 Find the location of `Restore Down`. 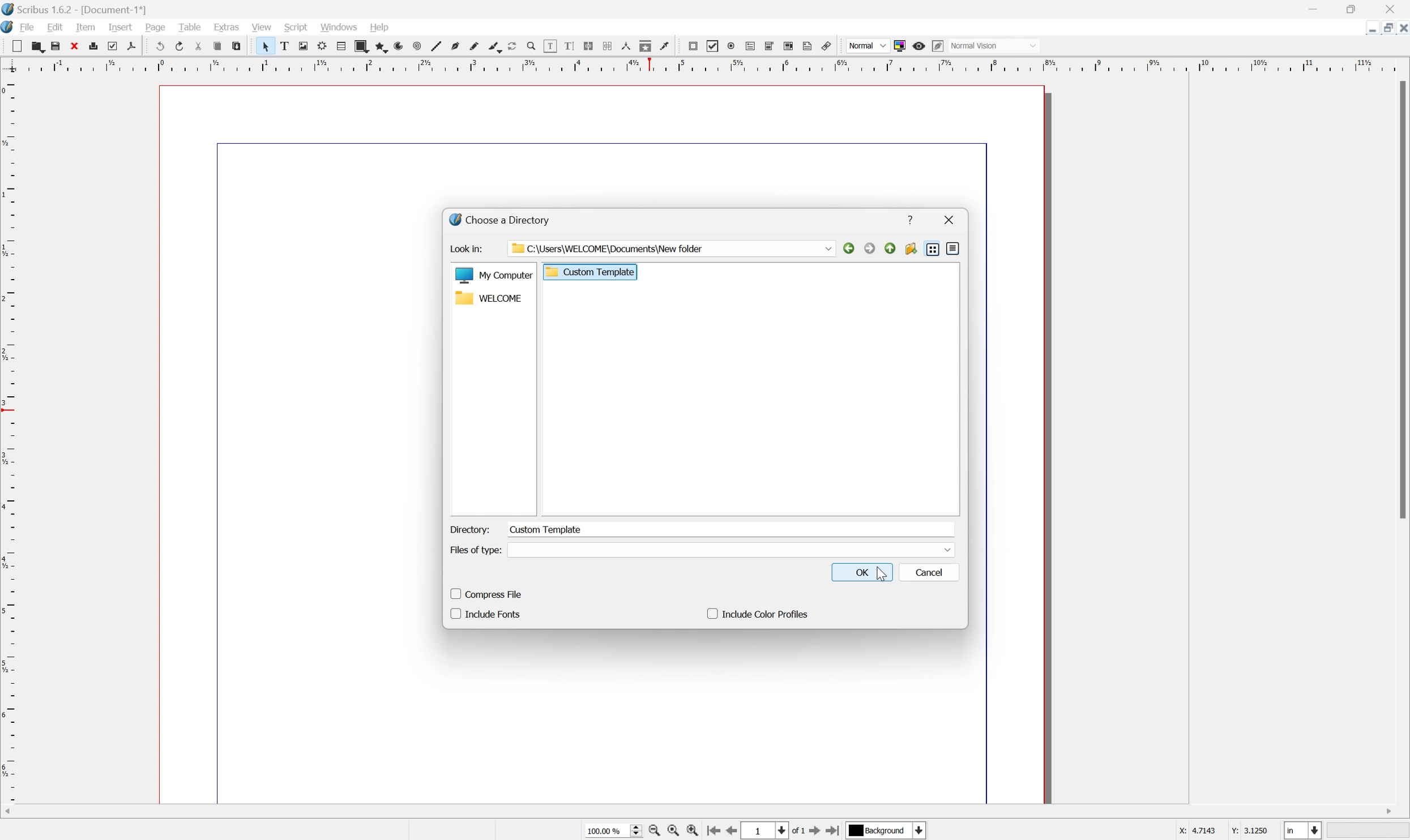

Restore Down is located at coordinates (1386, 29).